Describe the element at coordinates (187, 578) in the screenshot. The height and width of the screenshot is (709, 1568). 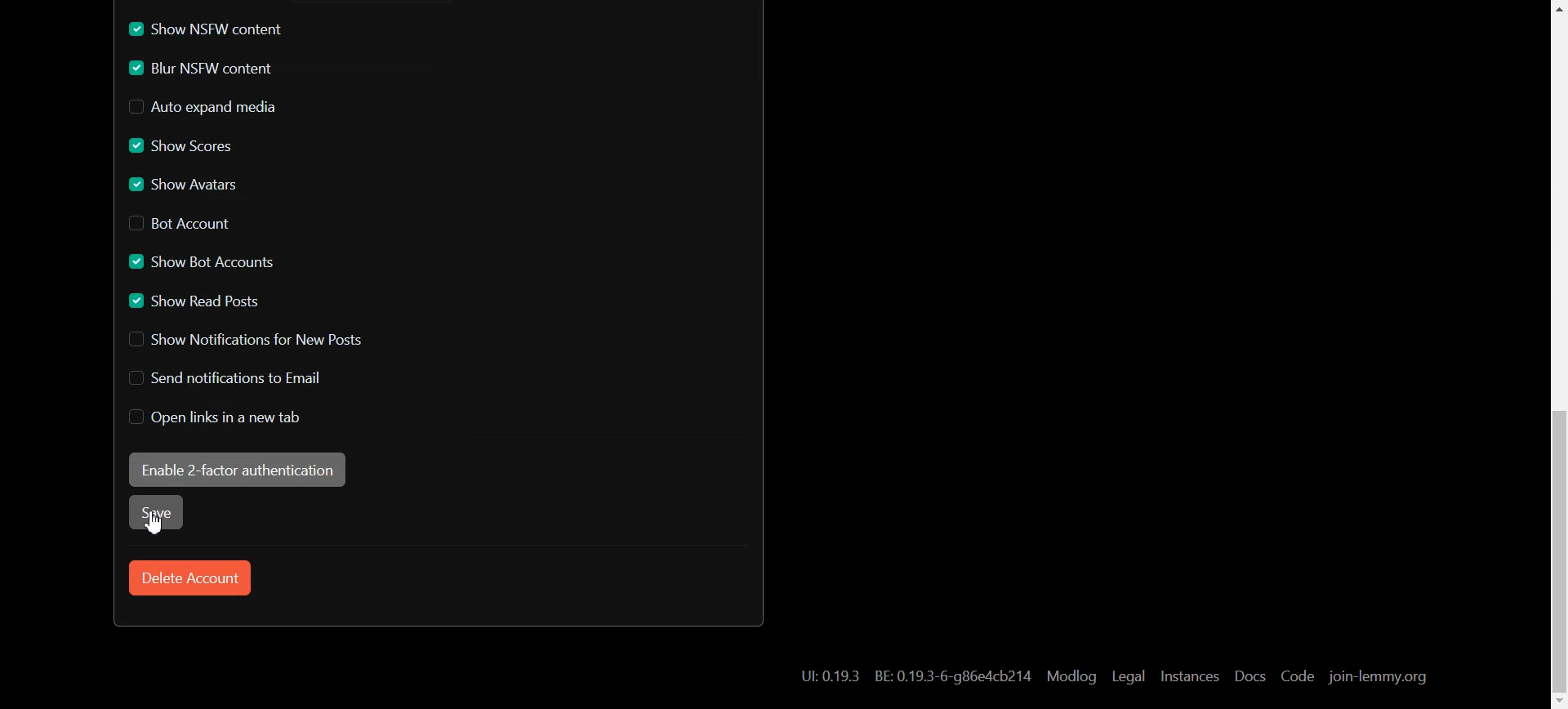
I see `Delete Account` at that location.